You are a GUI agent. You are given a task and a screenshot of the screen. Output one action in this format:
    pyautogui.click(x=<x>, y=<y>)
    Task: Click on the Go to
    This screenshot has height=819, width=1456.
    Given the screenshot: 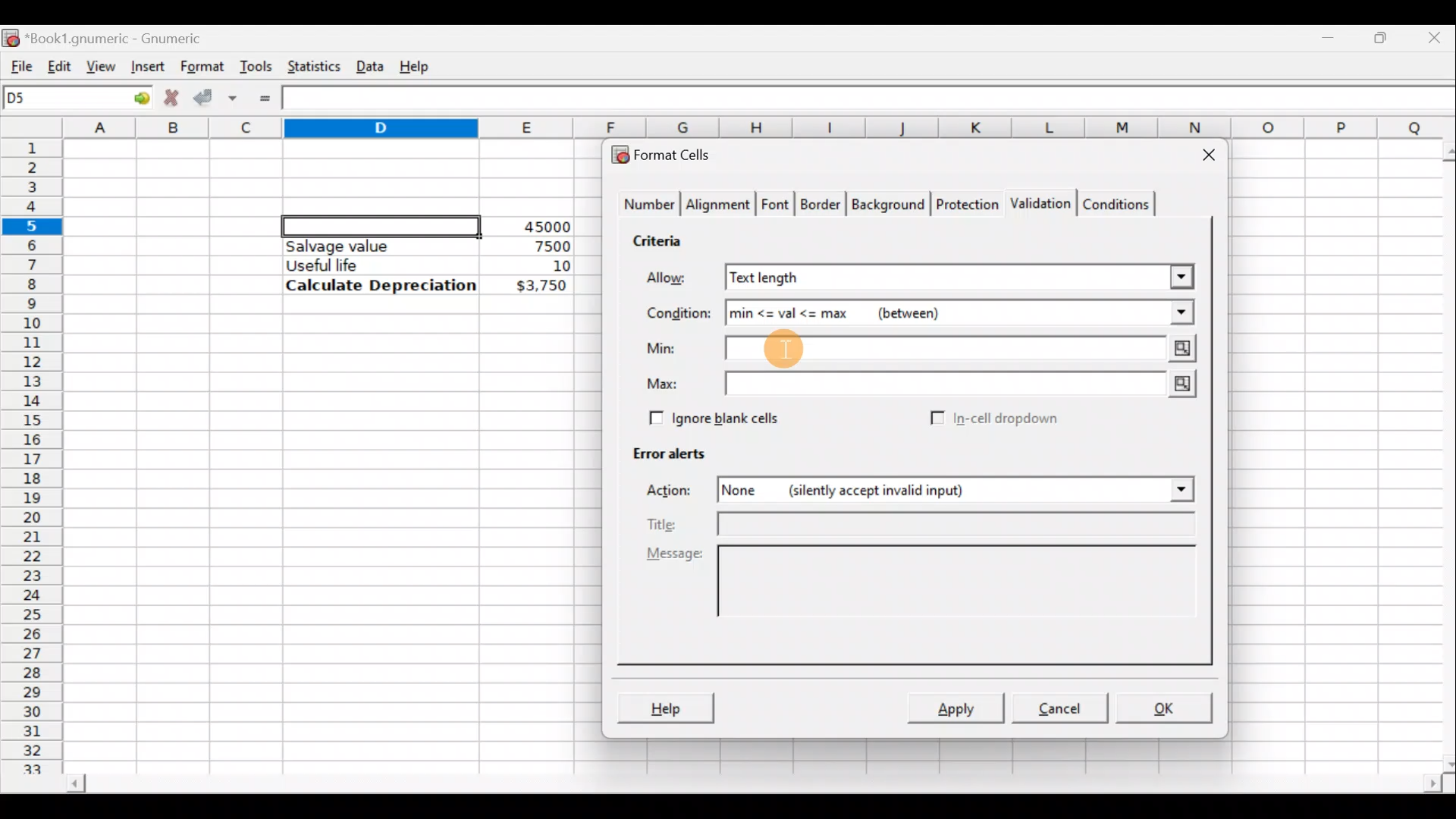 What is the action you would take?
    pyautogui.click(x=136, y=99)
    